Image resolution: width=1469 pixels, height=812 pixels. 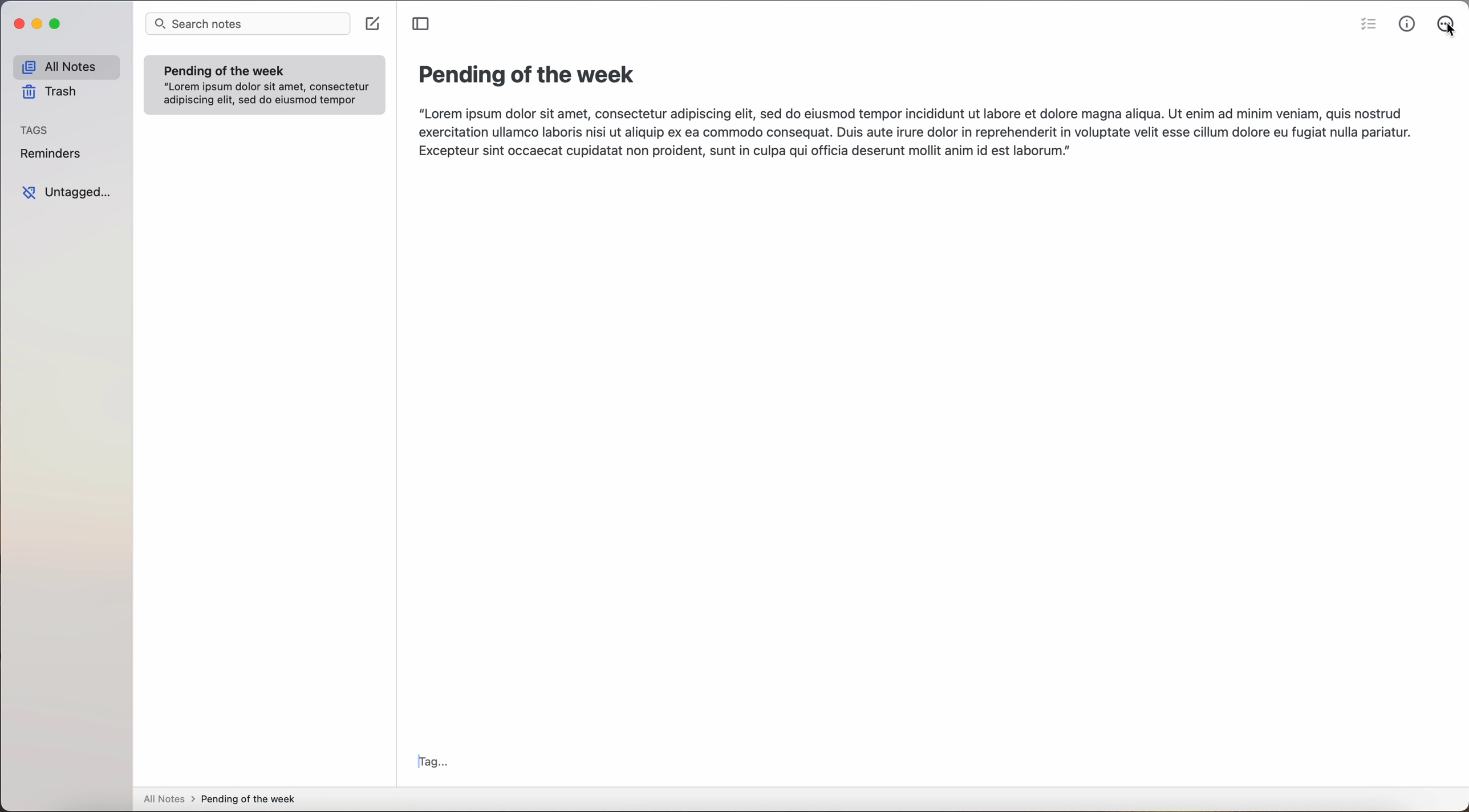 What do you see at coordinates (249, 25) in the screenshot?
I see `search notes` at bounding box center [249, 25].